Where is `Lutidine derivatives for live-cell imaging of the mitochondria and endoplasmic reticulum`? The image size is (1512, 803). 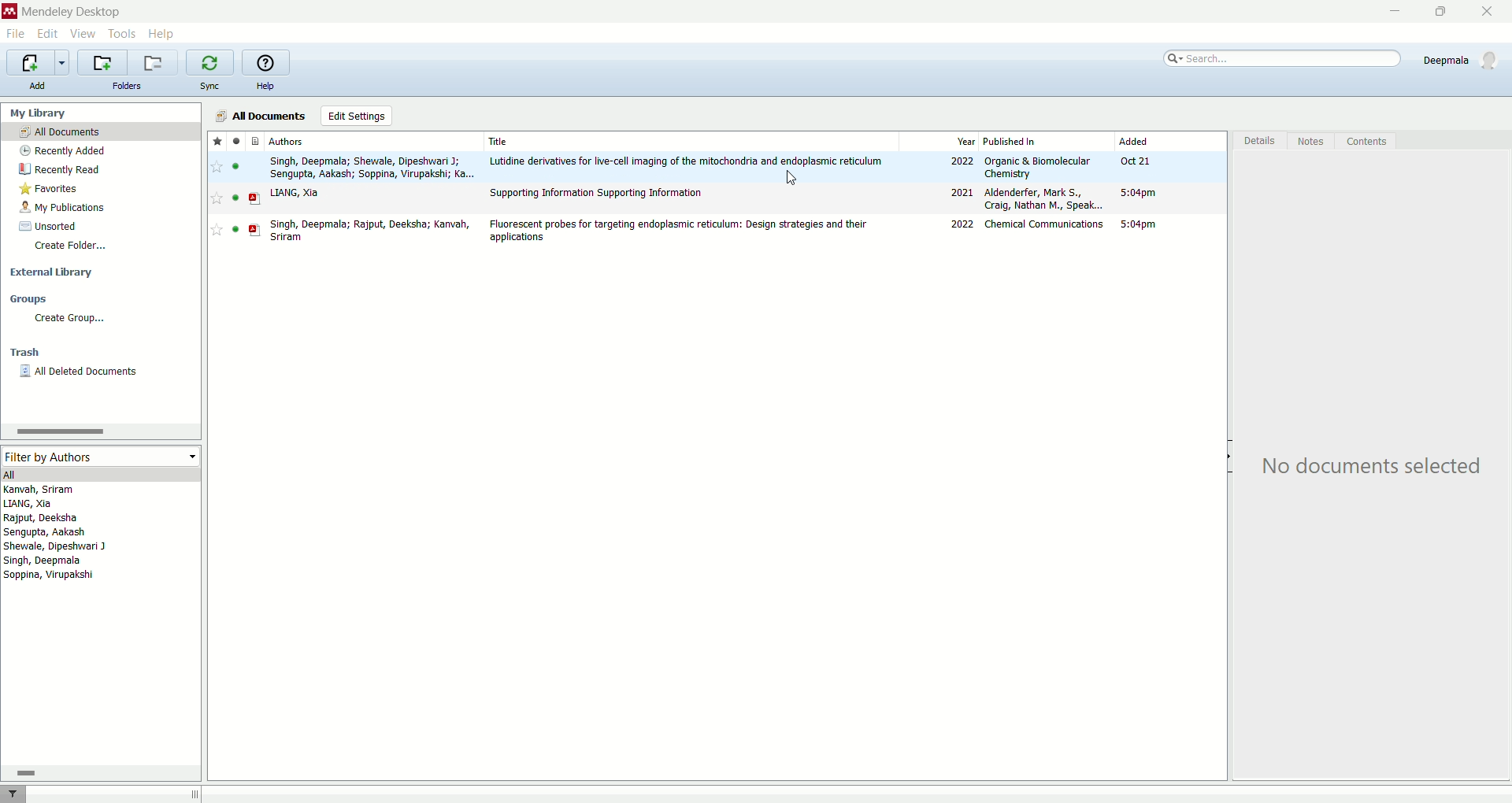 Lutidine derivatives for live-cell imaging of the mitochondria and endoplasmic reticulum is located at coordinates (687, 161).